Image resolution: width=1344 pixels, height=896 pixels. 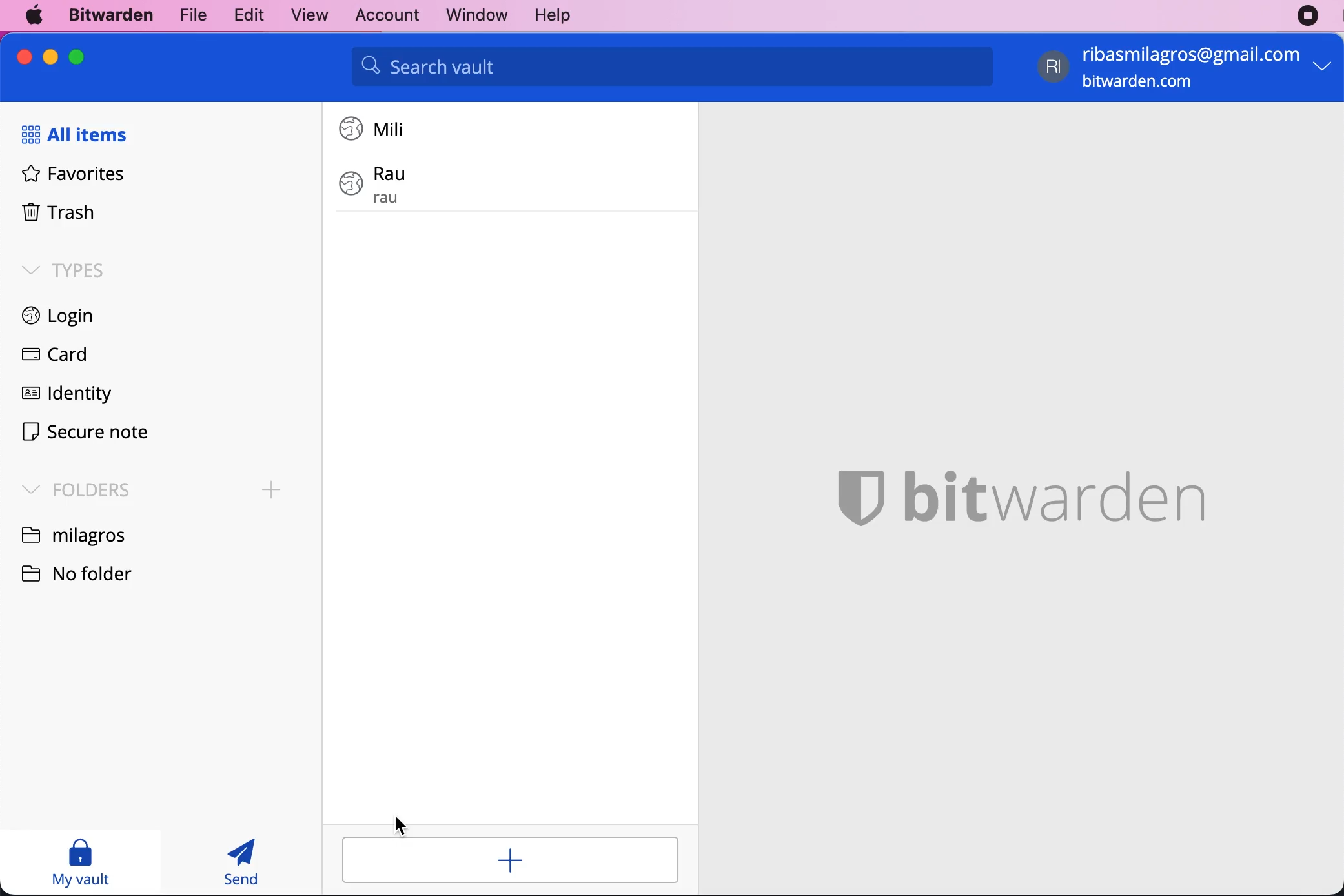 What do you see at coordinates (72, 488) in the screenshot?
I see `folders` at bounding box center [72, 488].